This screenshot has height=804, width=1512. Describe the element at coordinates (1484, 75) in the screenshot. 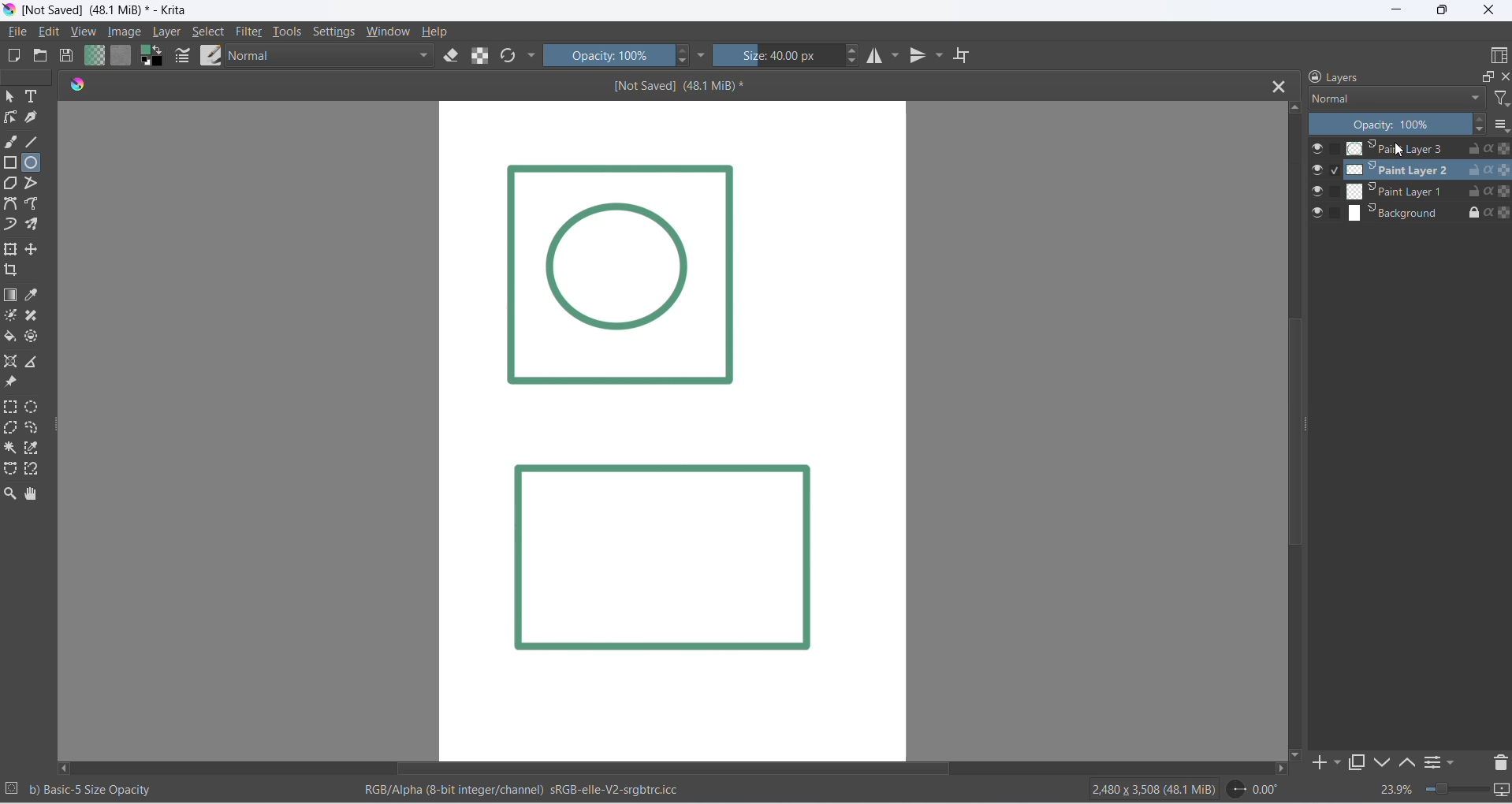

I see `maximize` at that location.